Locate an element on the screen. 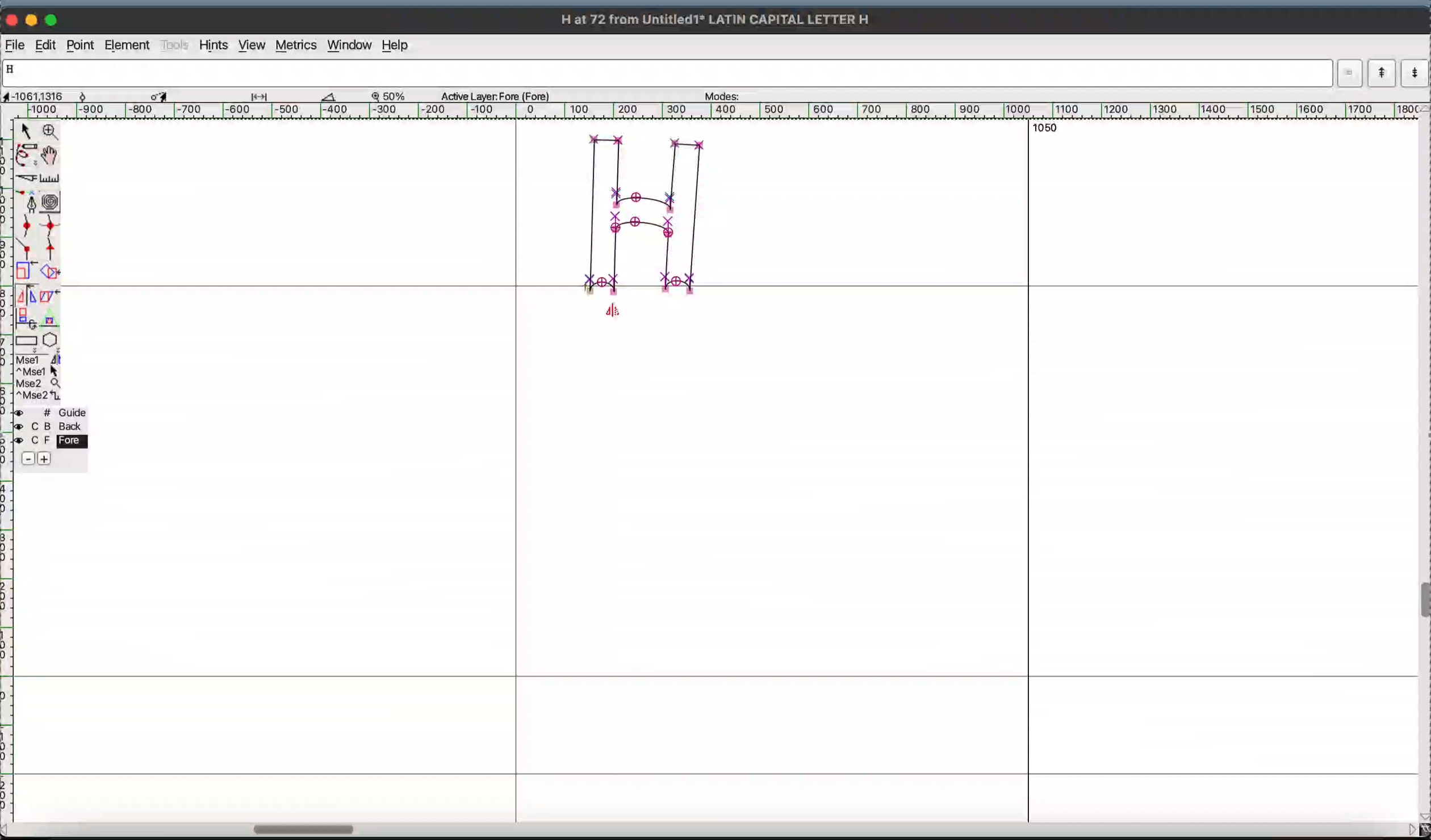  gentle curve is located at coordinates (28, 228).